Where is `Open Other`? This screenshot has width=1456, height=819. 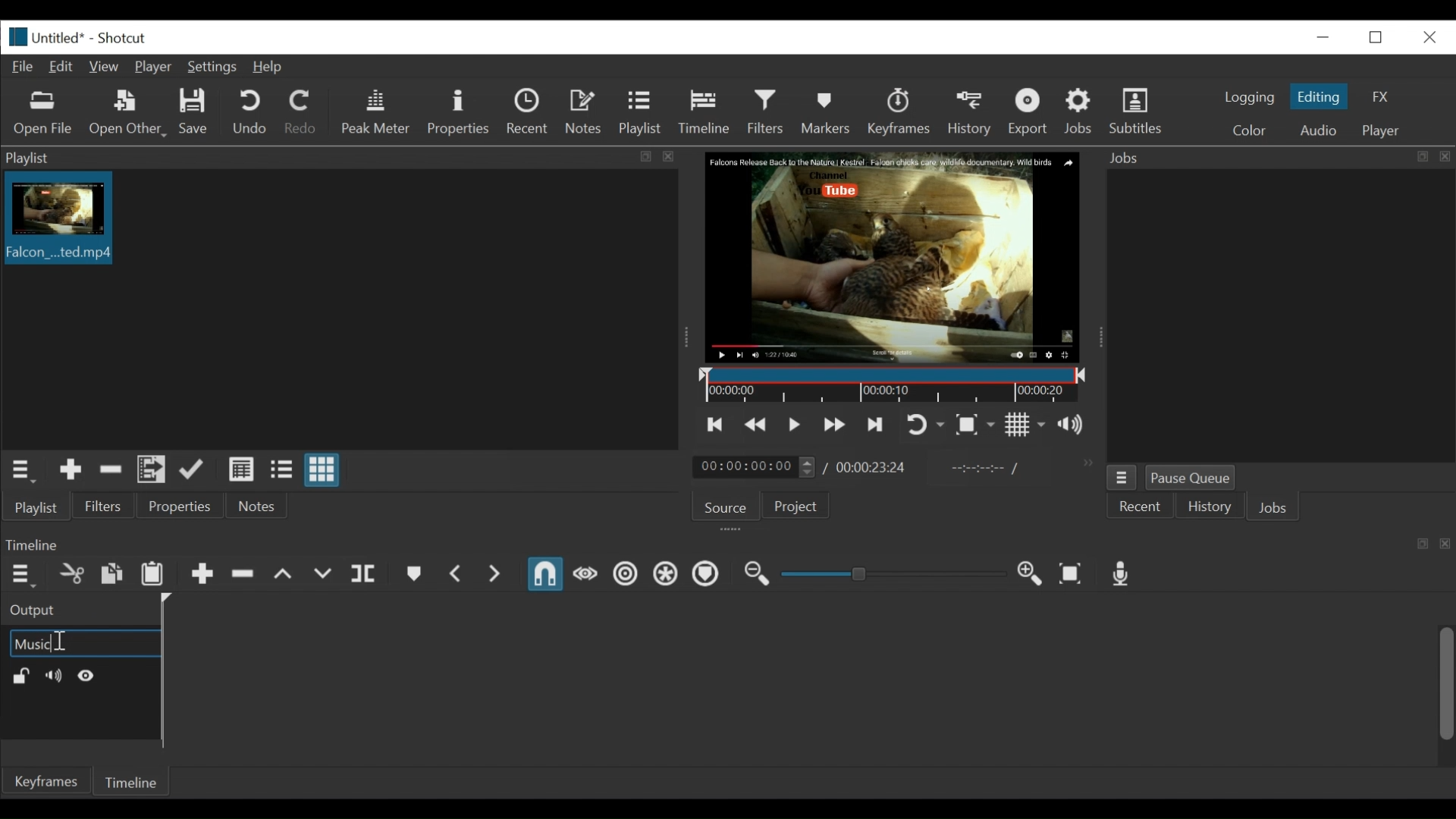 Open Other is located at coordinates (125, 113).